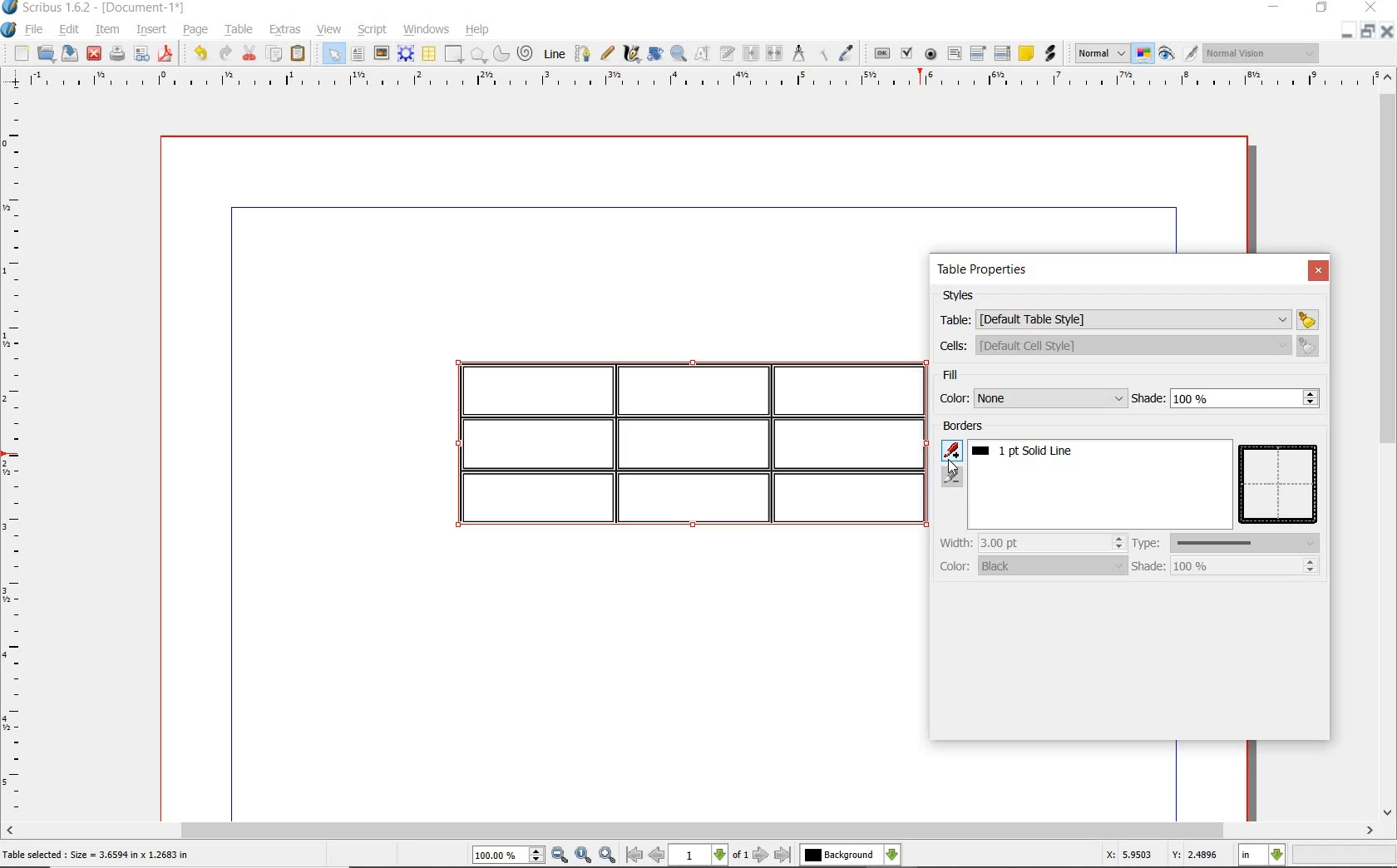 This screenshot has height=868, width=1397. I want to click on undo, so click(200, 54).